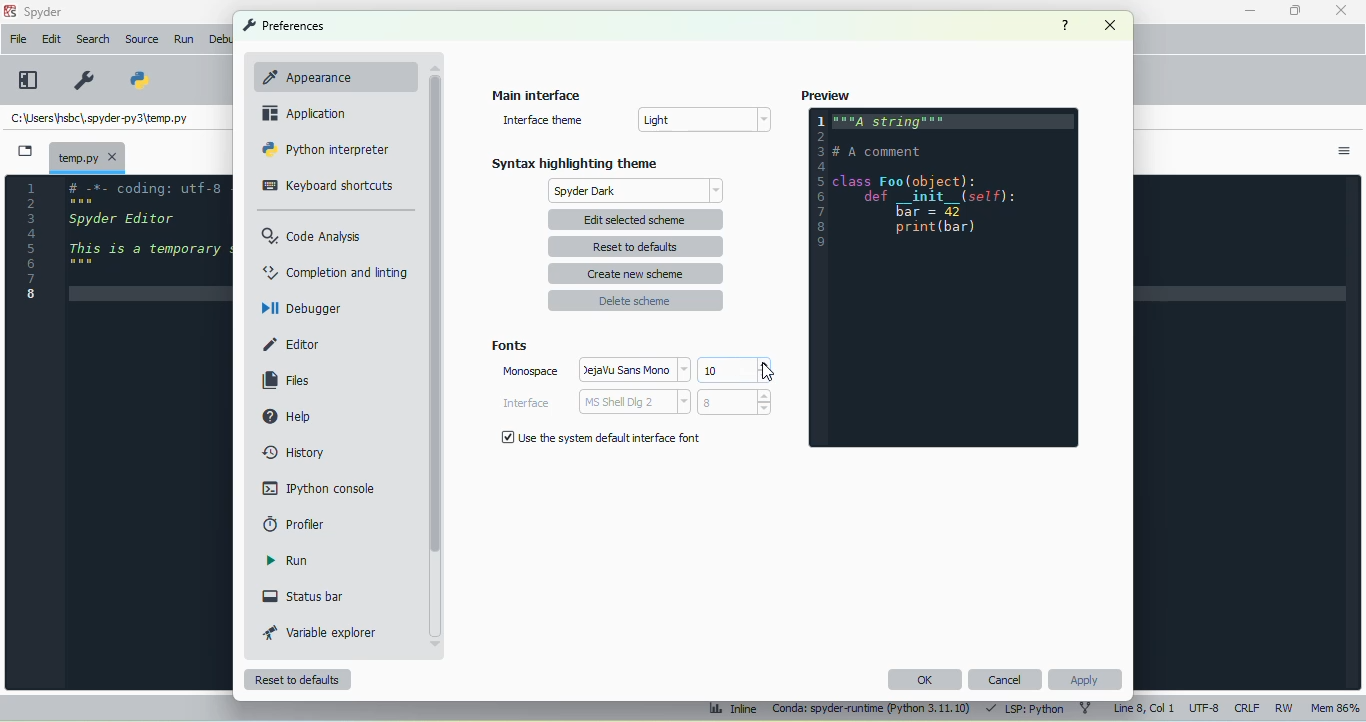  I want to click on DejaVu sans mono, so click(636, 369).